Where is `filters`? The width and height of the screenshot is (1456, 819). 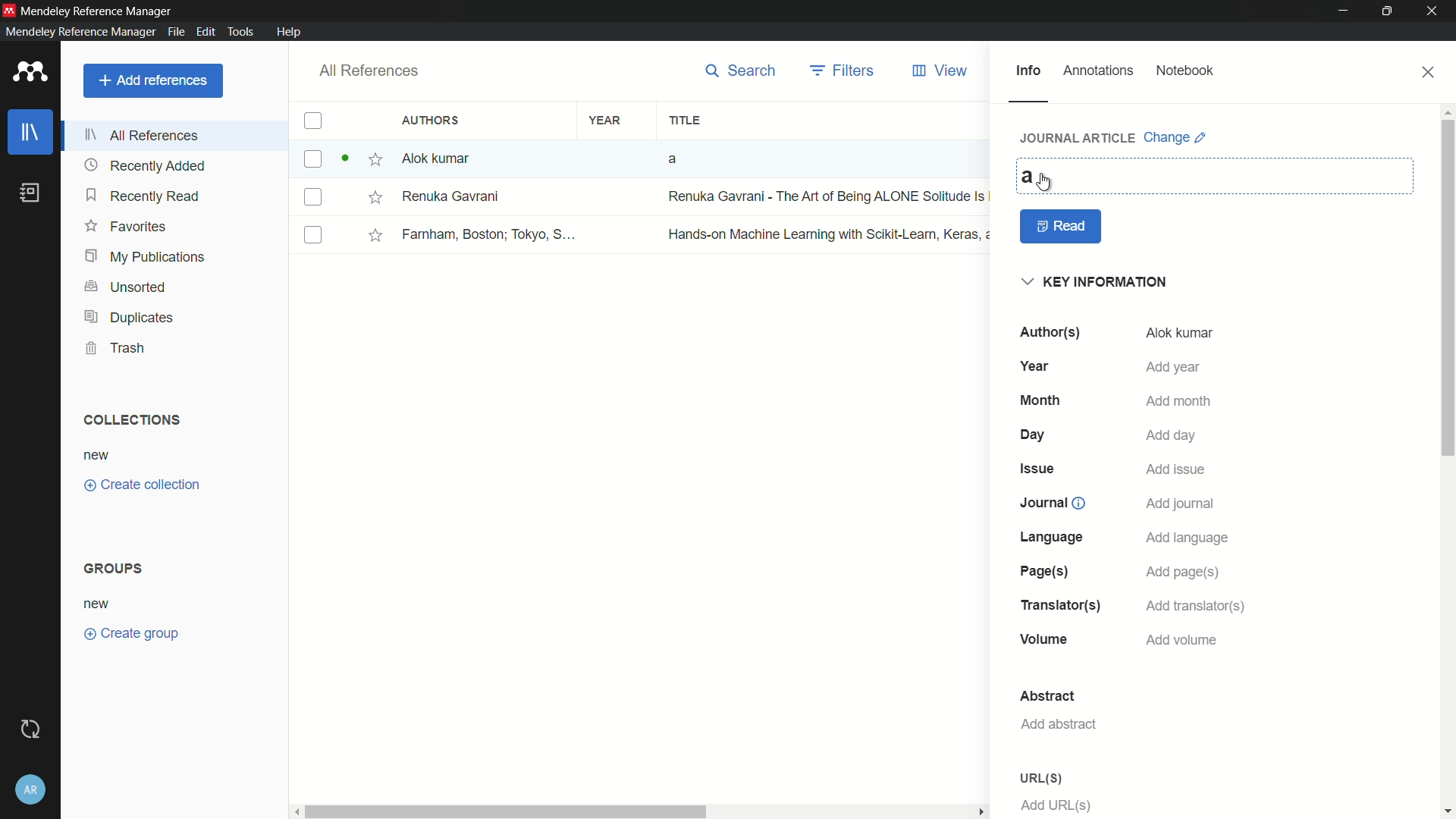 filters is located at coordinates (844, 71).